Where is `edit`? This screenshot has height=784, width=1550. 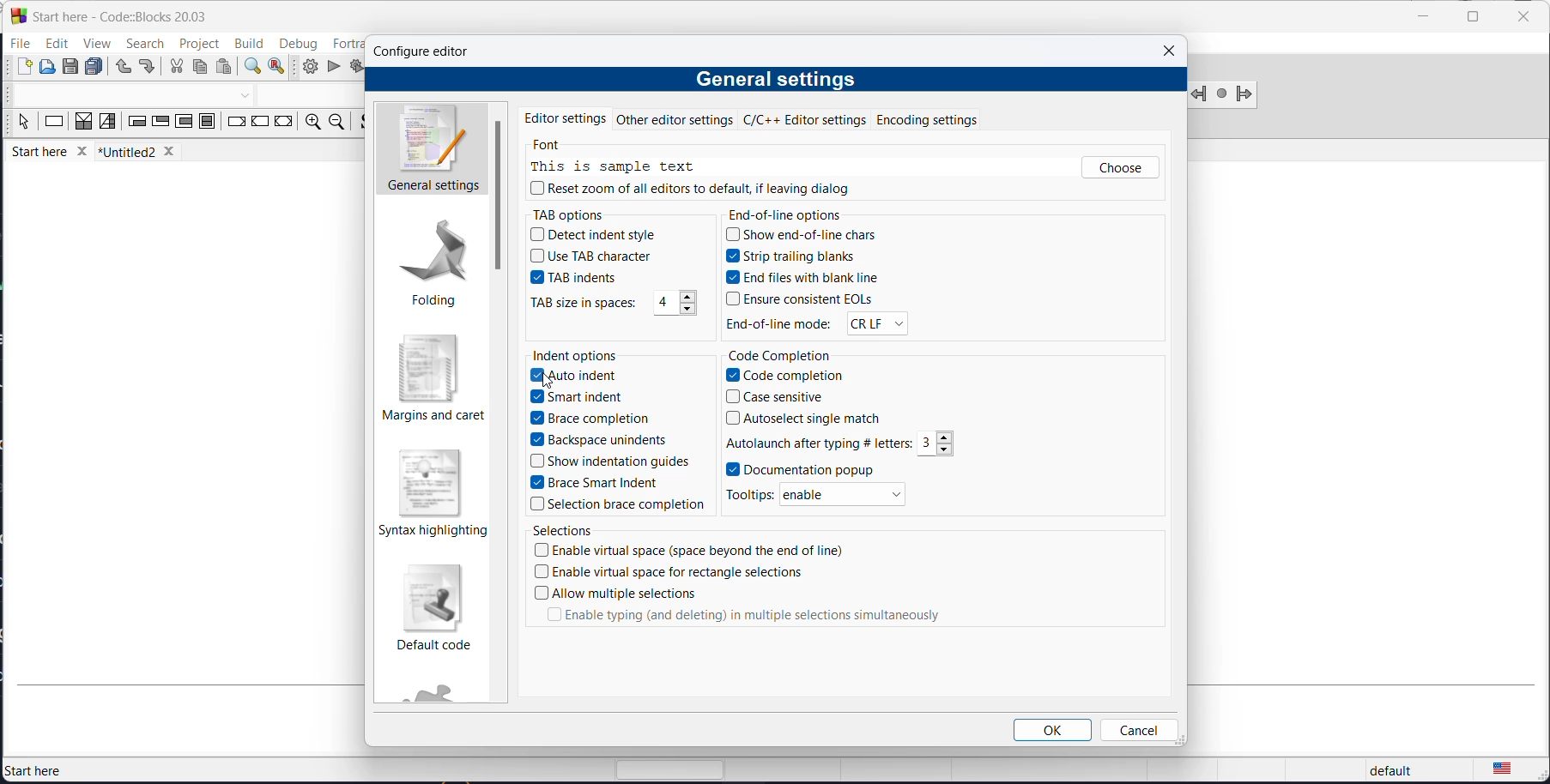
edit is located at coordinates (57, 43).